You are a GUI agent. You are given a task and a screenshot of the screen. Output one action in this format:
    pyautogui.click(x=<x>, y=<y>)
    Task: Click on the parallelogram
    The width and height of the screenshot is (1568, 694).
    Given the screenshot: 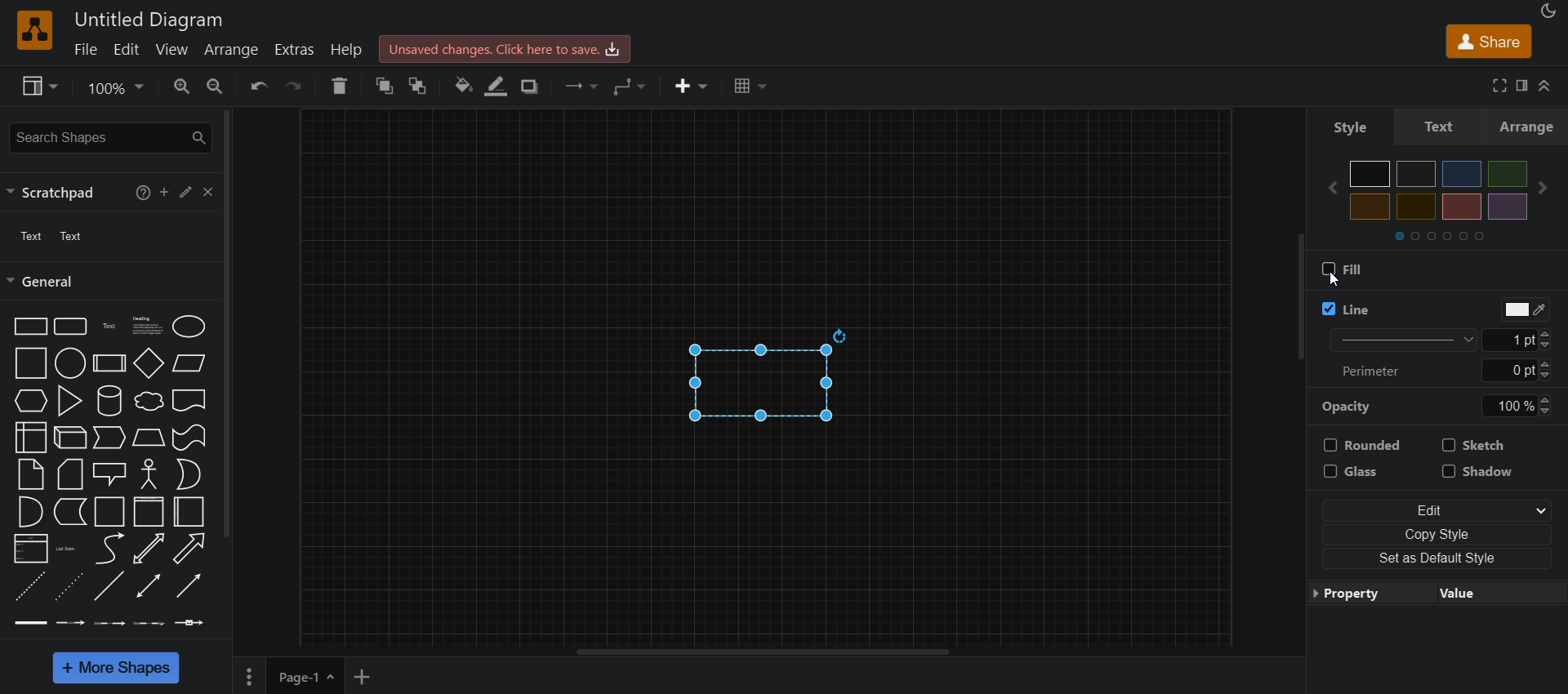 What is the action you would take?
    pyautogui.click(x=192, y=365)
    